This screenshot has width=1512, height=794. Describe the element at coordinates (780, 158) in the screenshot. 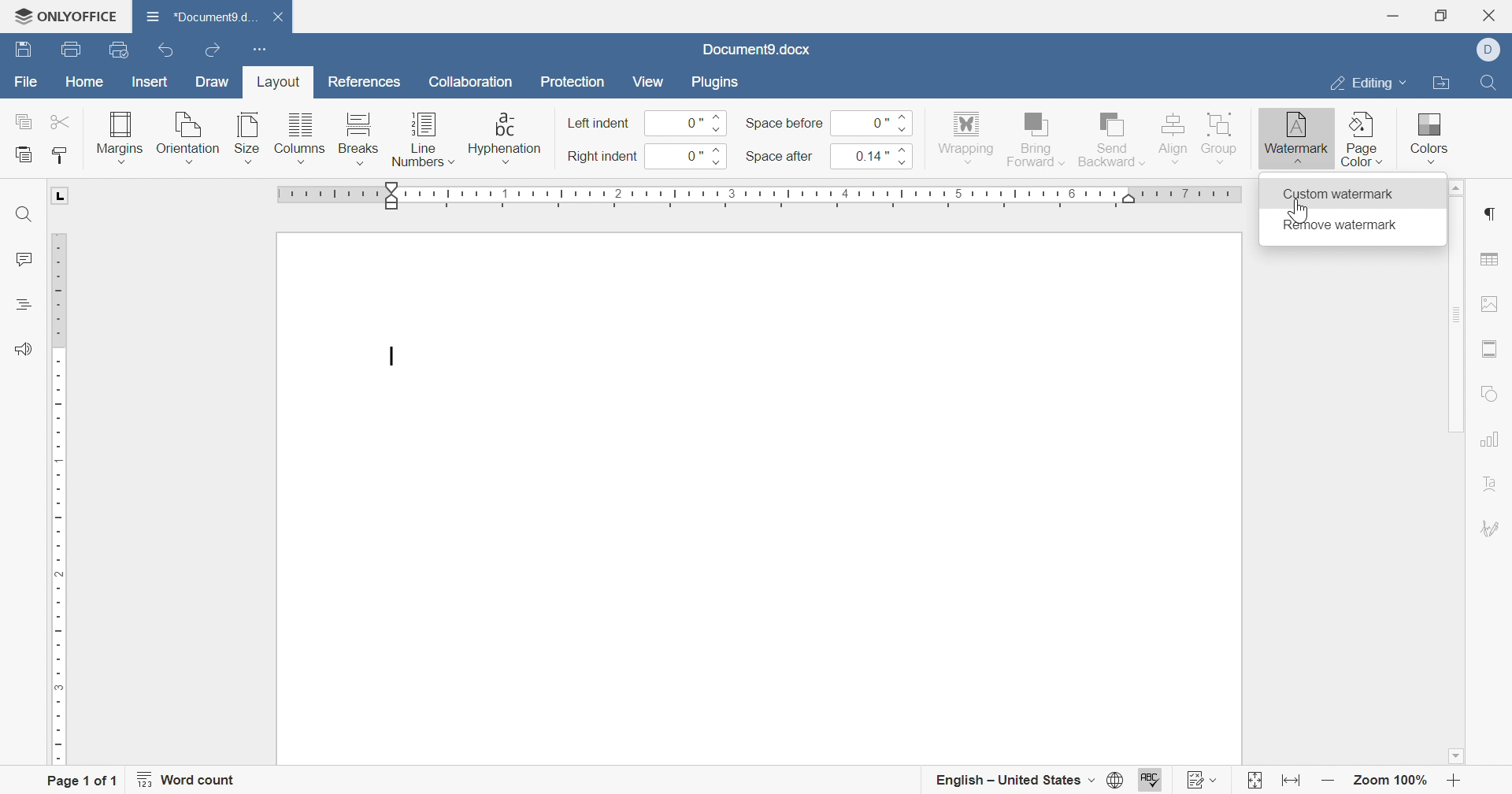

I see `space after` at that location.